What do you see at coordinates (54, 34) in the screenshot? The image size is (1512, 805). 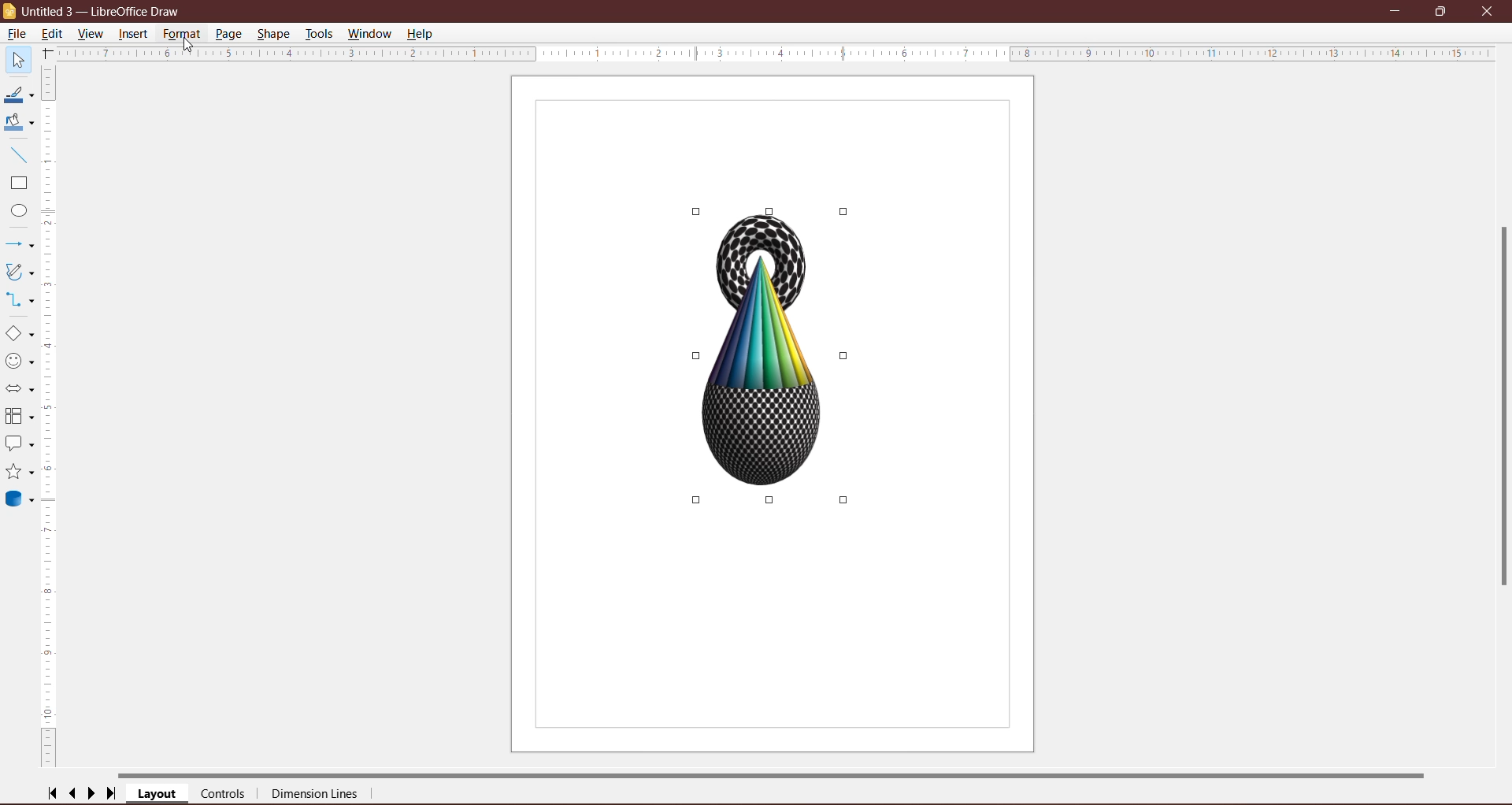 I see `Edit` at bounding box center [54, 34].